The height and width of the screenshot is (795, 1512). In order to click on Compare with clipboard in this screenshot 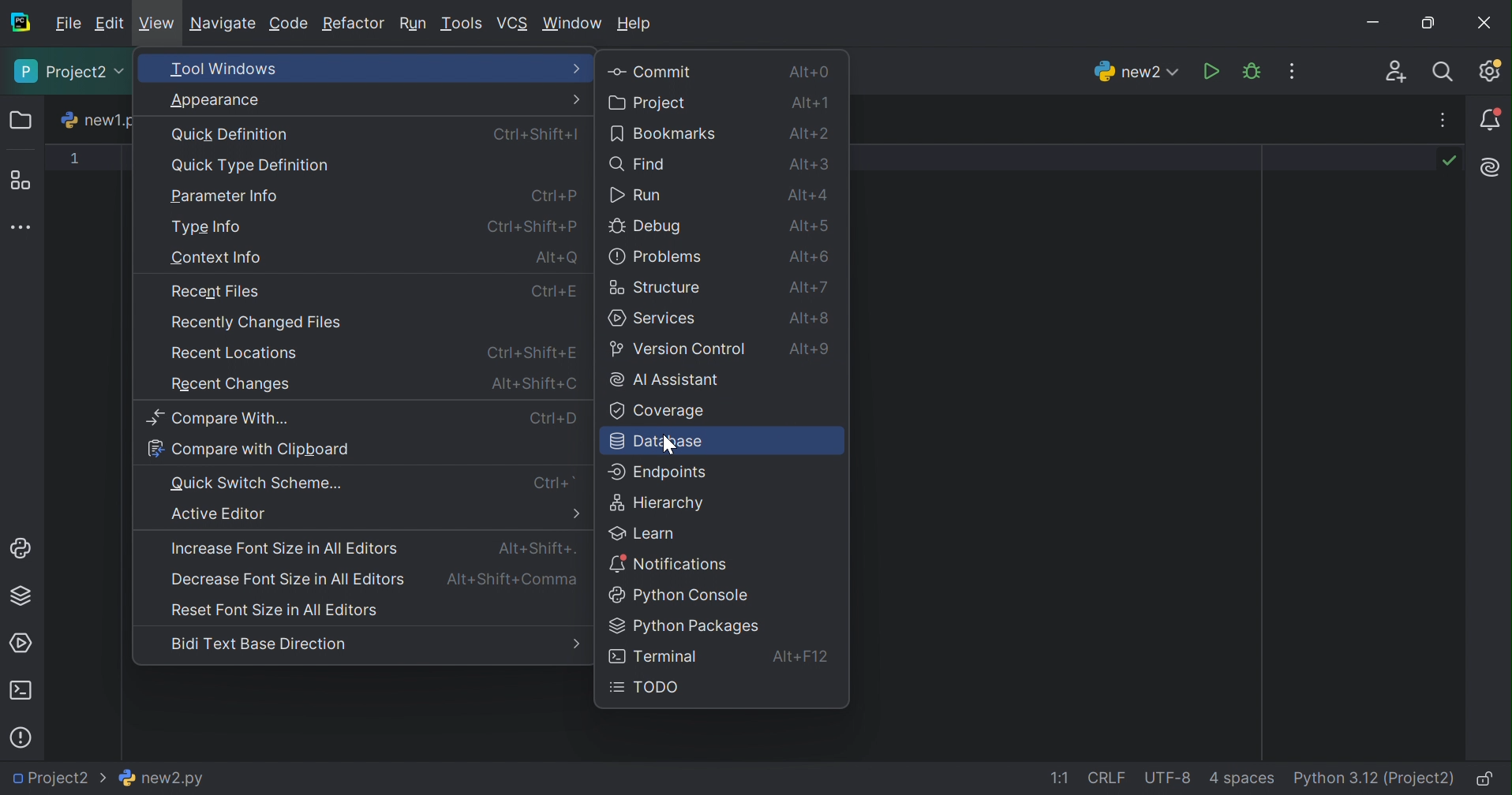, I will do `click(250, 450)`.